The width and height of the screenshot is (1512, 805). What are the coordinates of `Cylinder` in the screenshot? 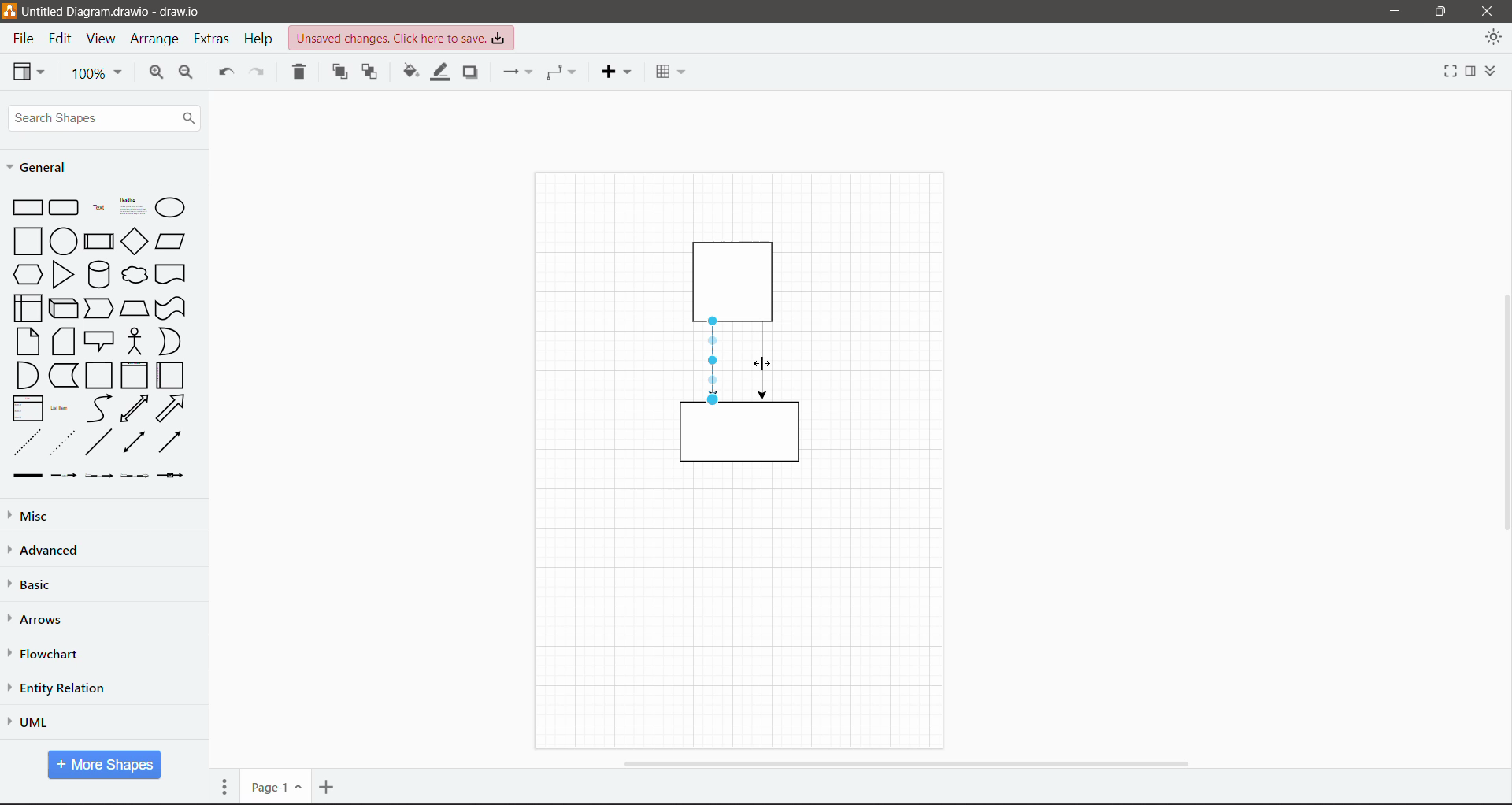 It's located at (98, 274).